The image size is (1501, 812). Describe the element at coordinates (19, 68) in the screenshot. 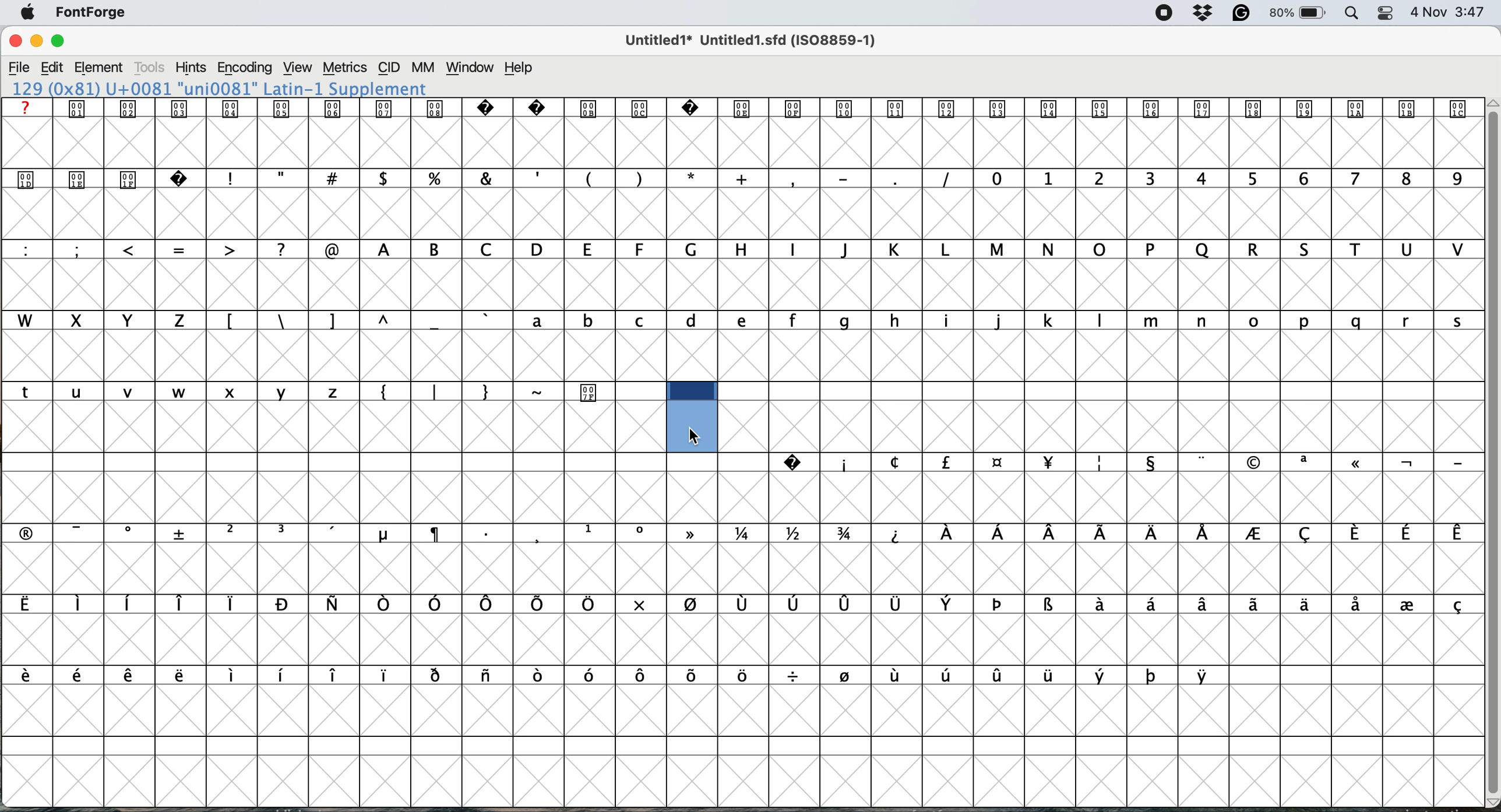

I see `File` at that location.